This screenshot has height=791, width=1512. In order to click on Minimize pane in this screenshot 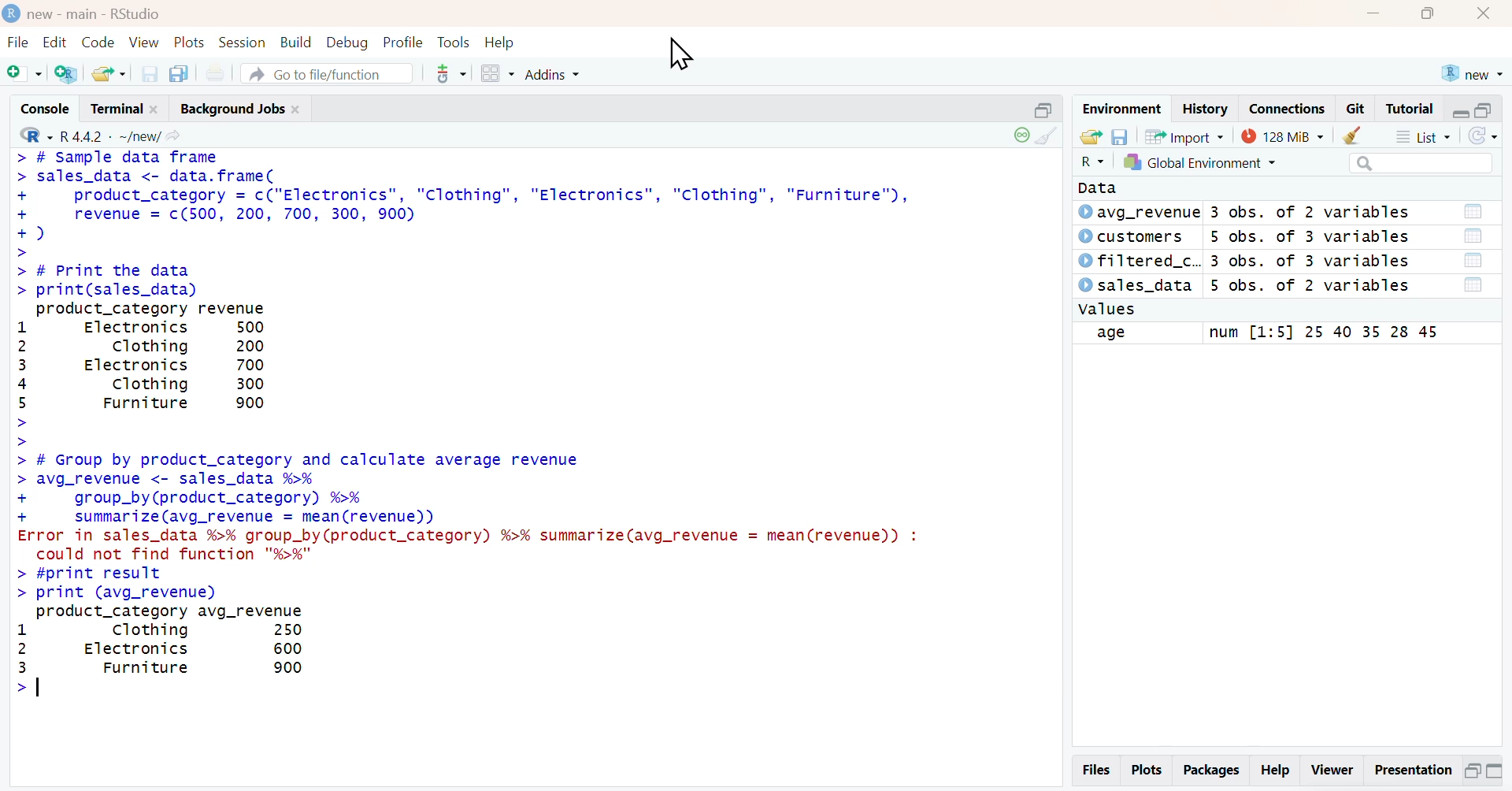, I will do `click(1472, 774)`.